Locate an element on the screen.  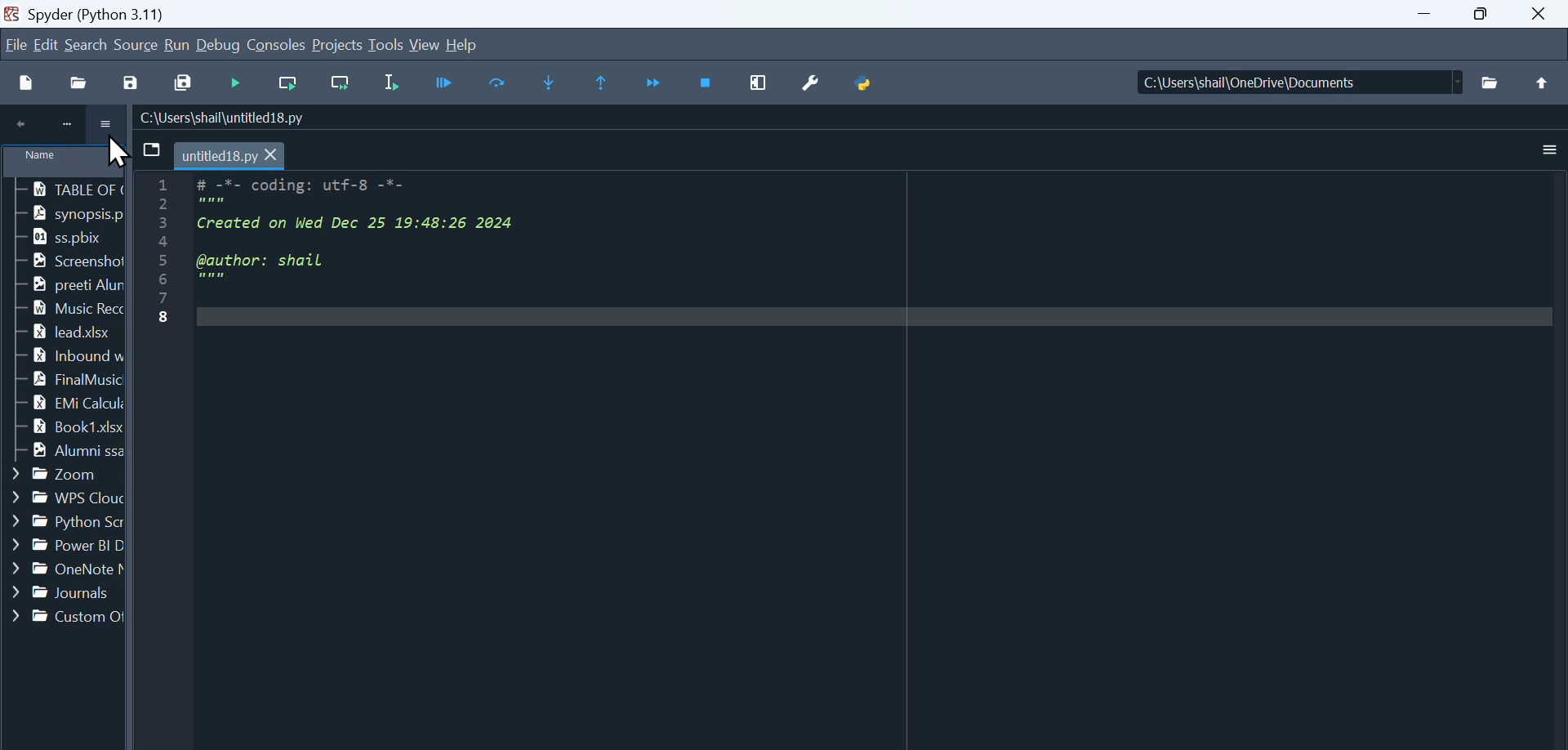
open directory is located at coordinates (1490, 83).